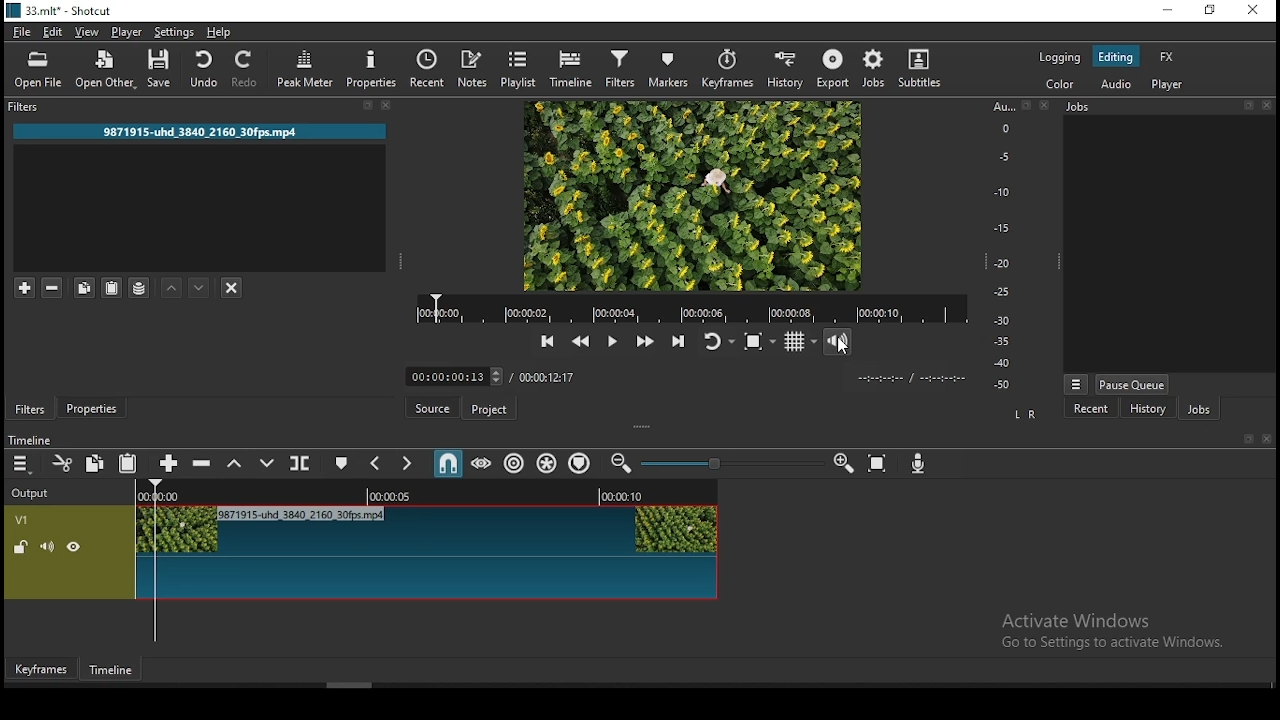 Image resolution: width=1280 pixels, height=720 pixels. What do you see at coordinates (170, 464) in the screenshot?
I see `append` at bounding box center [170, 464].